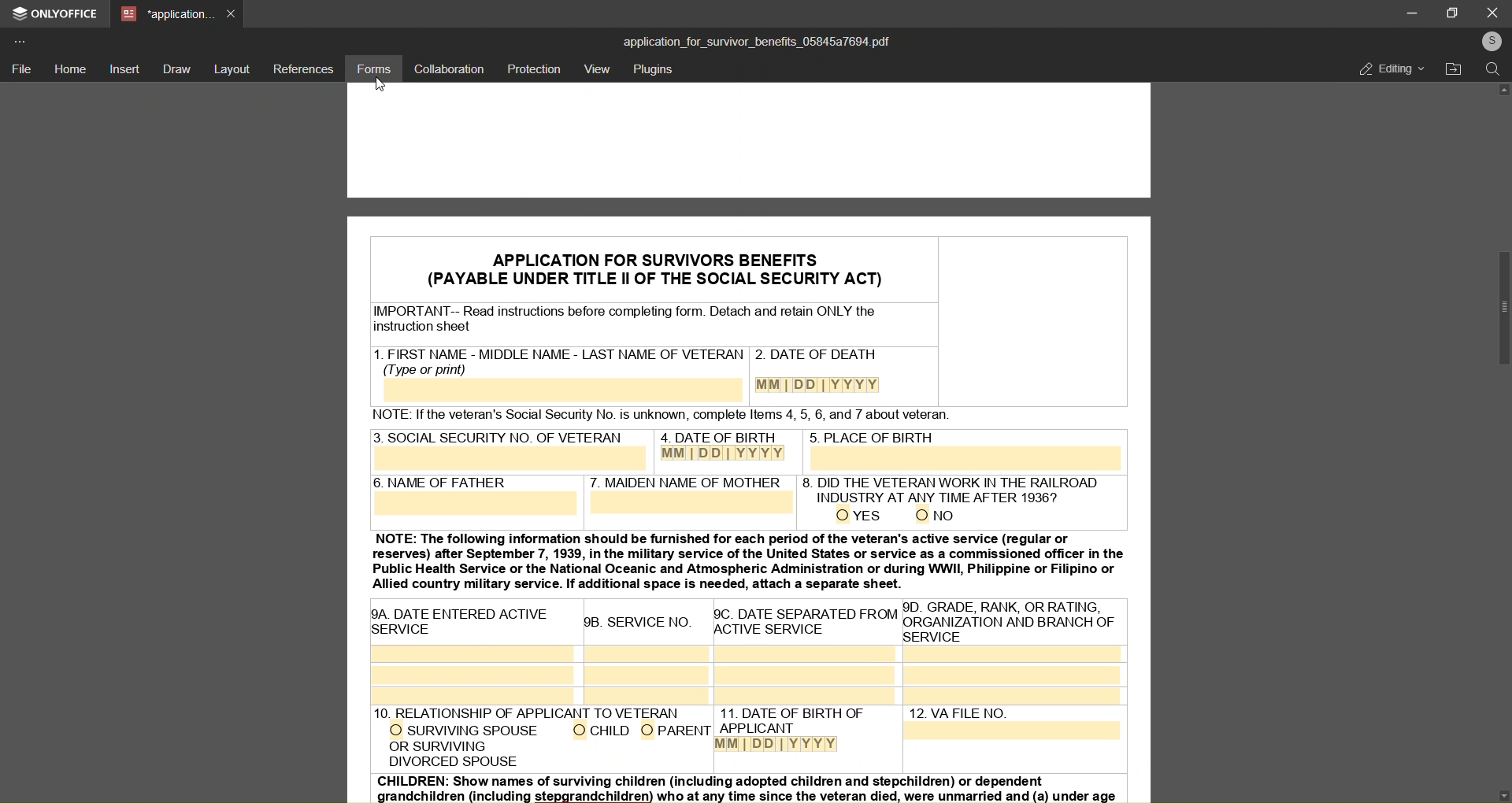 The width and height of the screenshot is (1512, 803). What do you see at coordinates (448, 69) in the screenshot?
I see `collaboration` at bounding box center [448, 69].